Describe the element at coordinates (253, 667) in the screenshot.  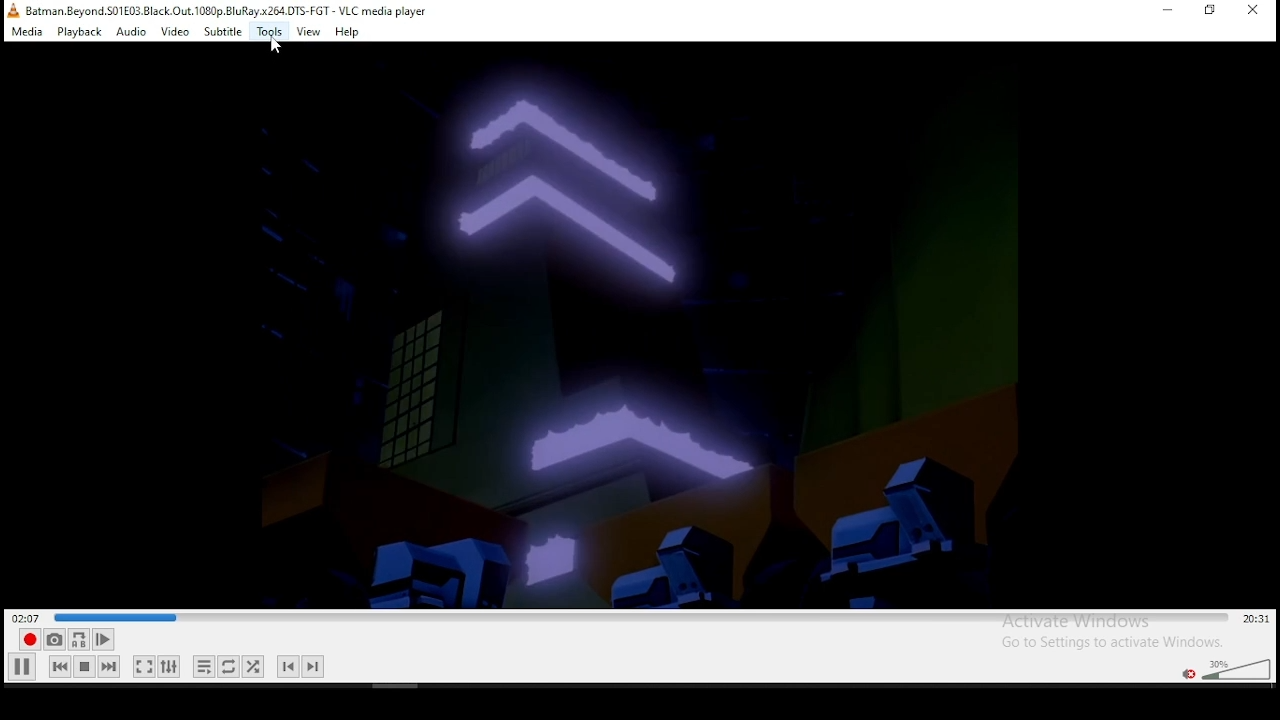
I see `random` at that location.